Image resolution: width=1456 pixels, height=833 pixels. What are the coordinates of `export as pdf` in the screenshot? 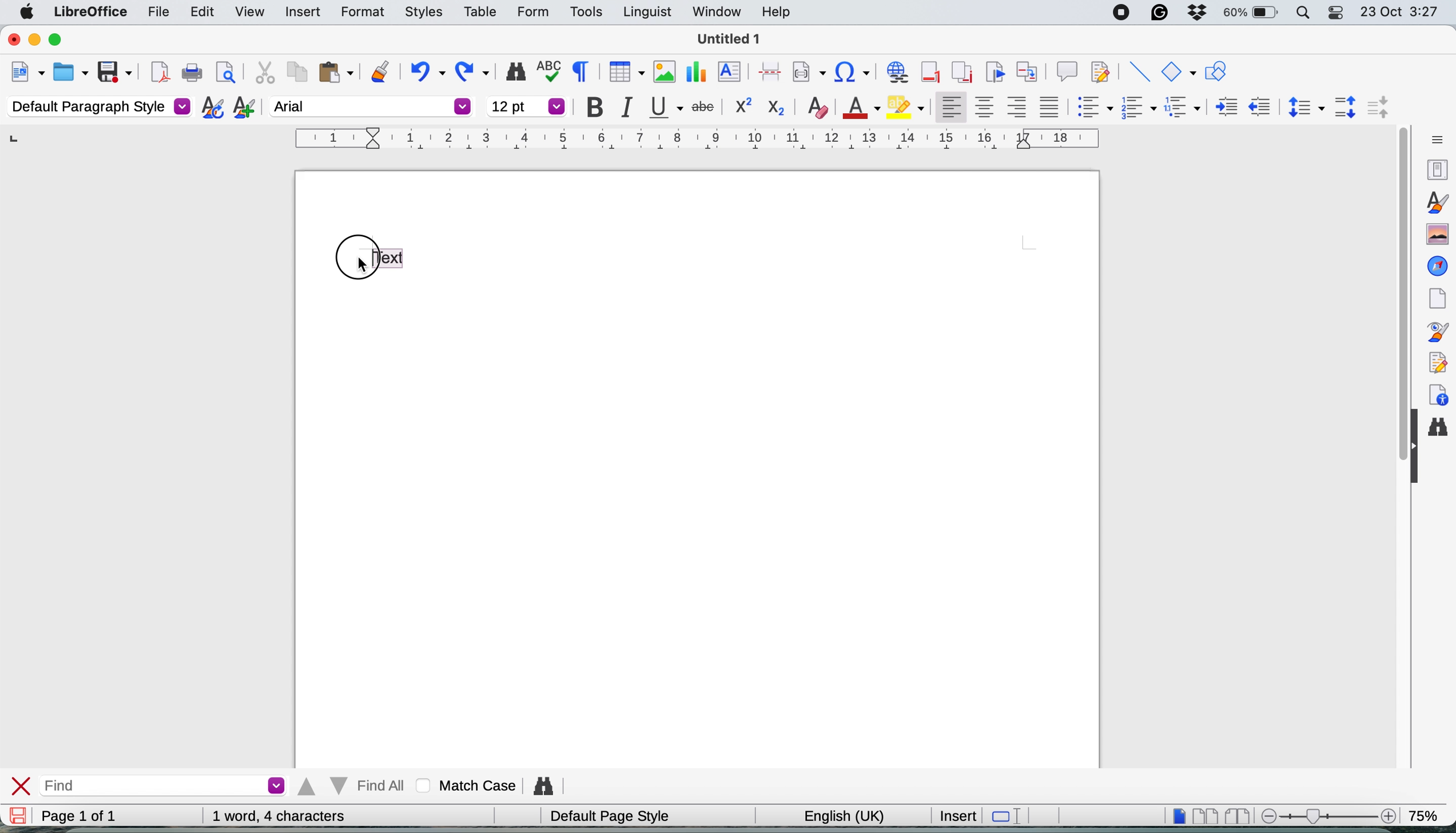 It's located at (156, 73).